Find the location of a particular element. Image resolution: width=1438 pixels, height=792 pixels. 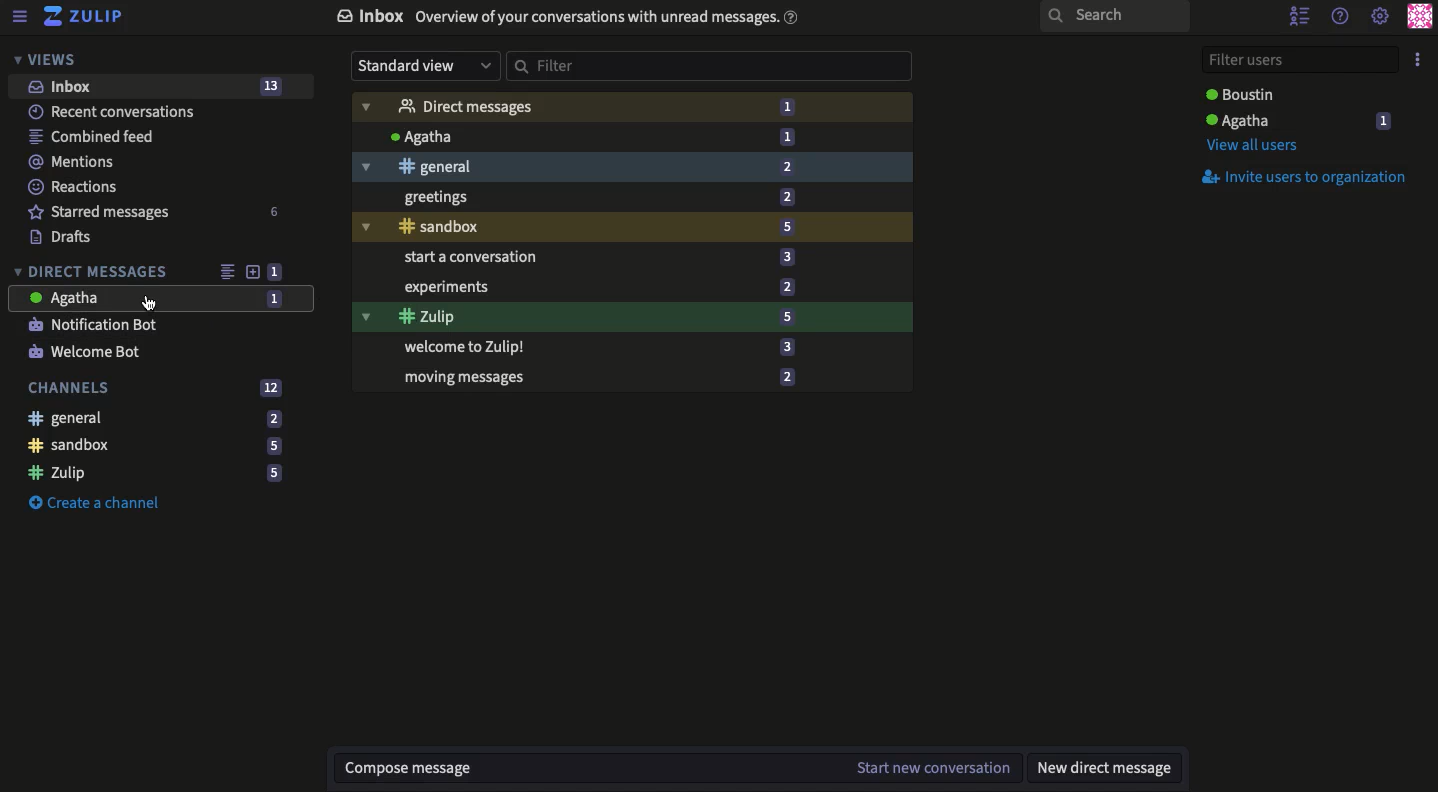

Filter is located at coordinates (710, 66).